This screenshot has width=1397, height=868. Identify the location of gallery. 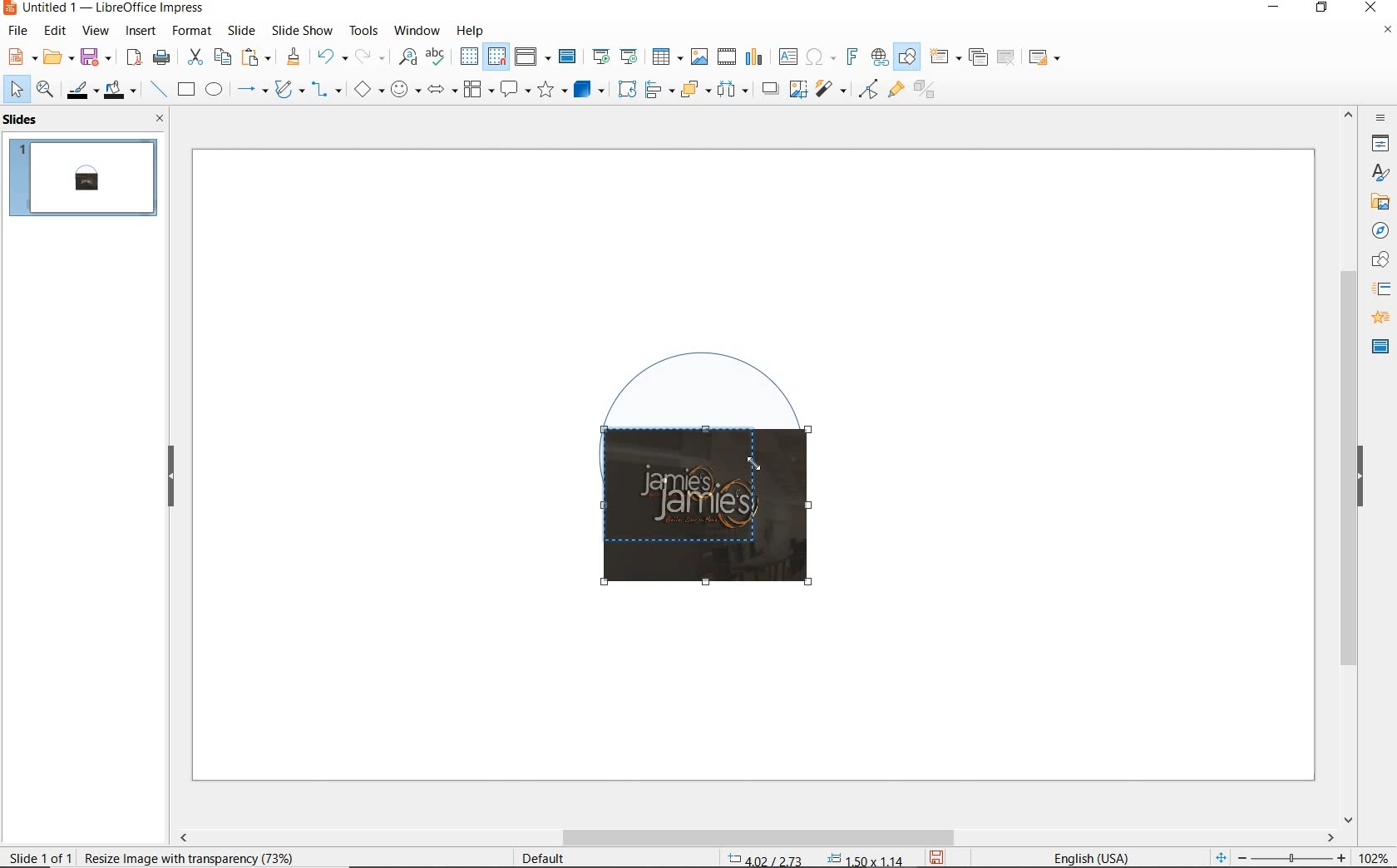
(1377, 201).